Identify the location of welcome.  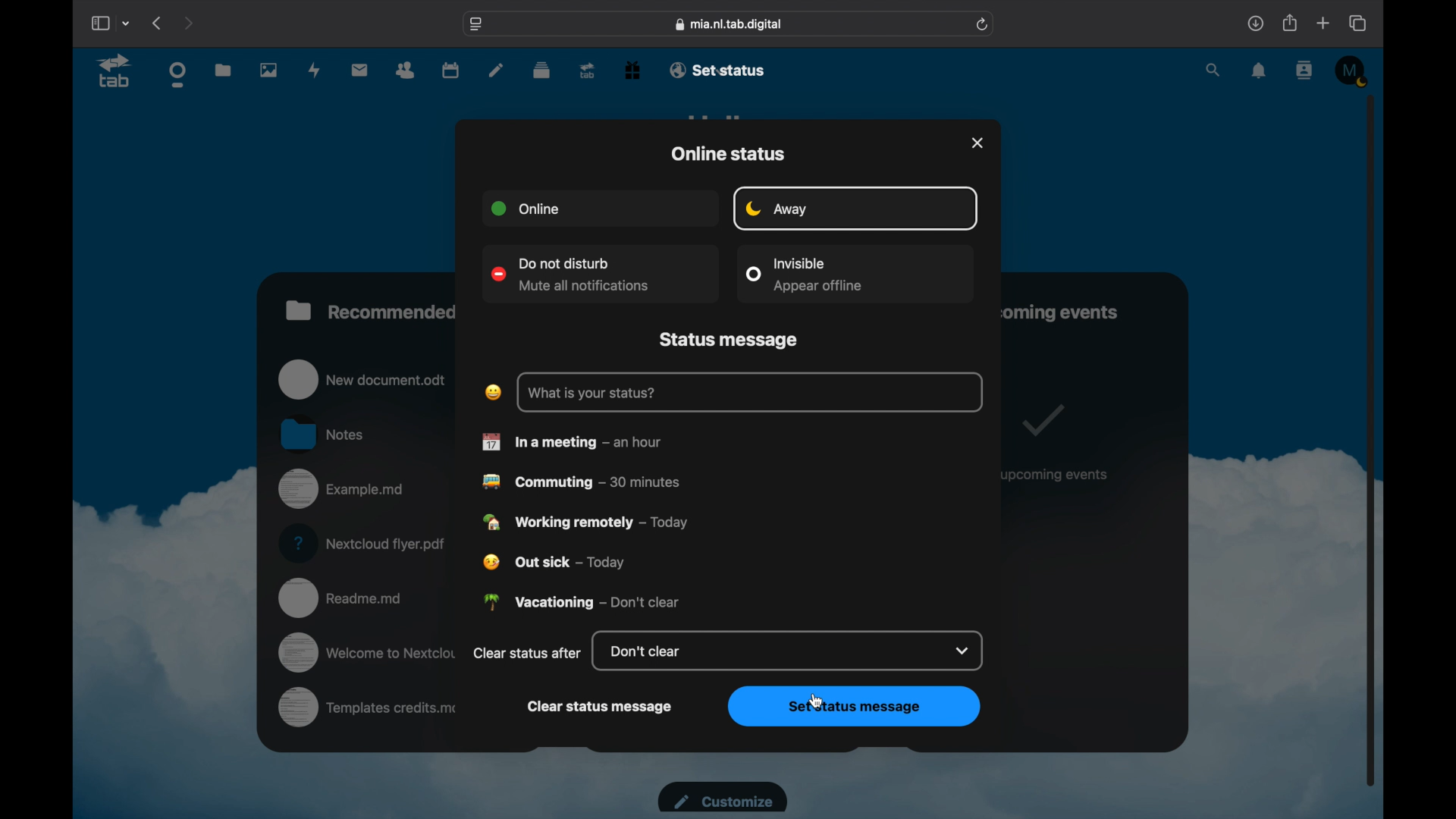
(369, 652).